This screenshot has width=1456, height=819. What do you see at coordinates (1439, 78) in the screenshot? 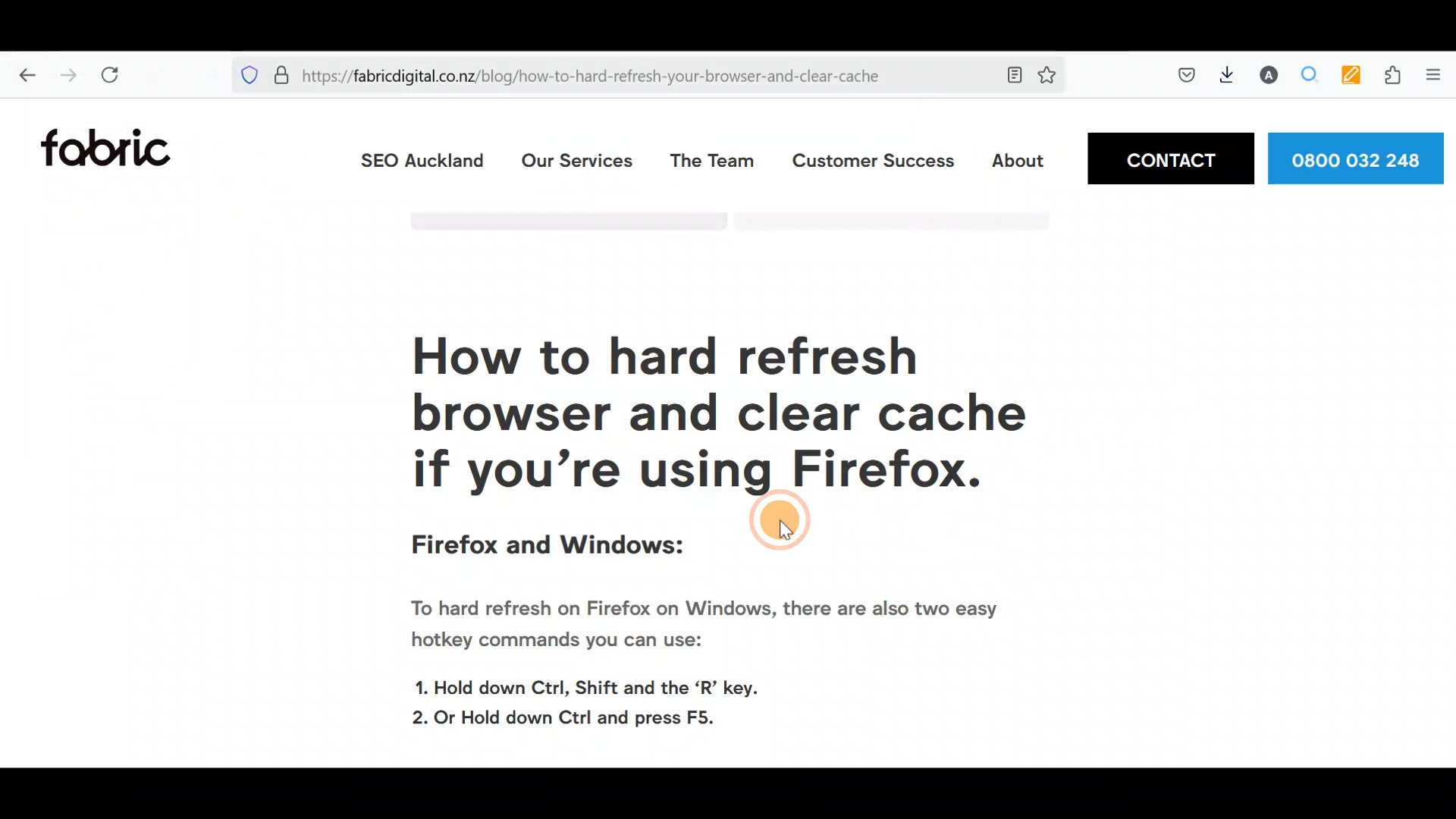
I see `Show application menu` at bounding box center [1439, 78].